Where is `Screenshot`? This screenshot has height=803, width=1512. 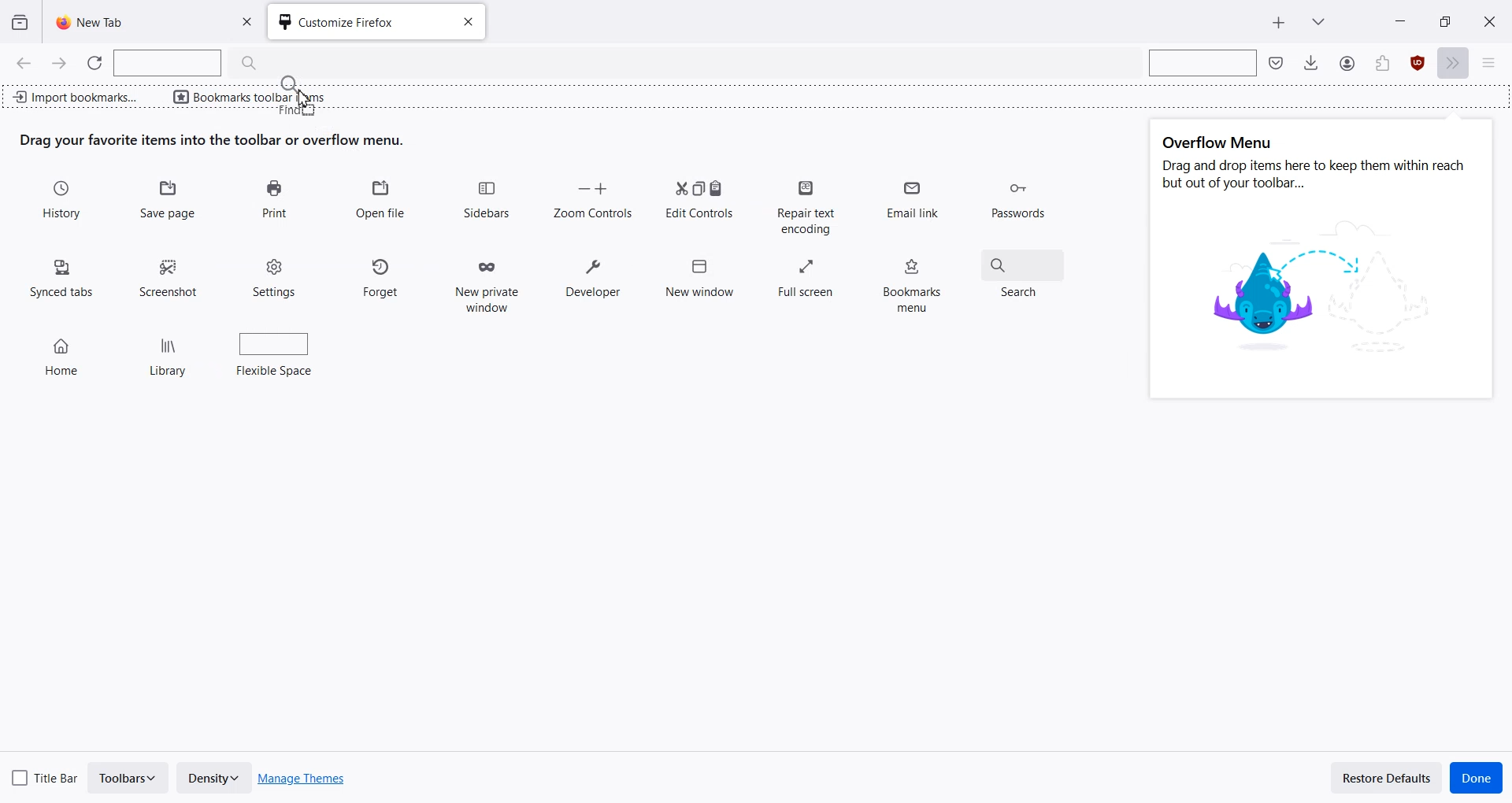 Screenshot is located at coordinates (171, 273).